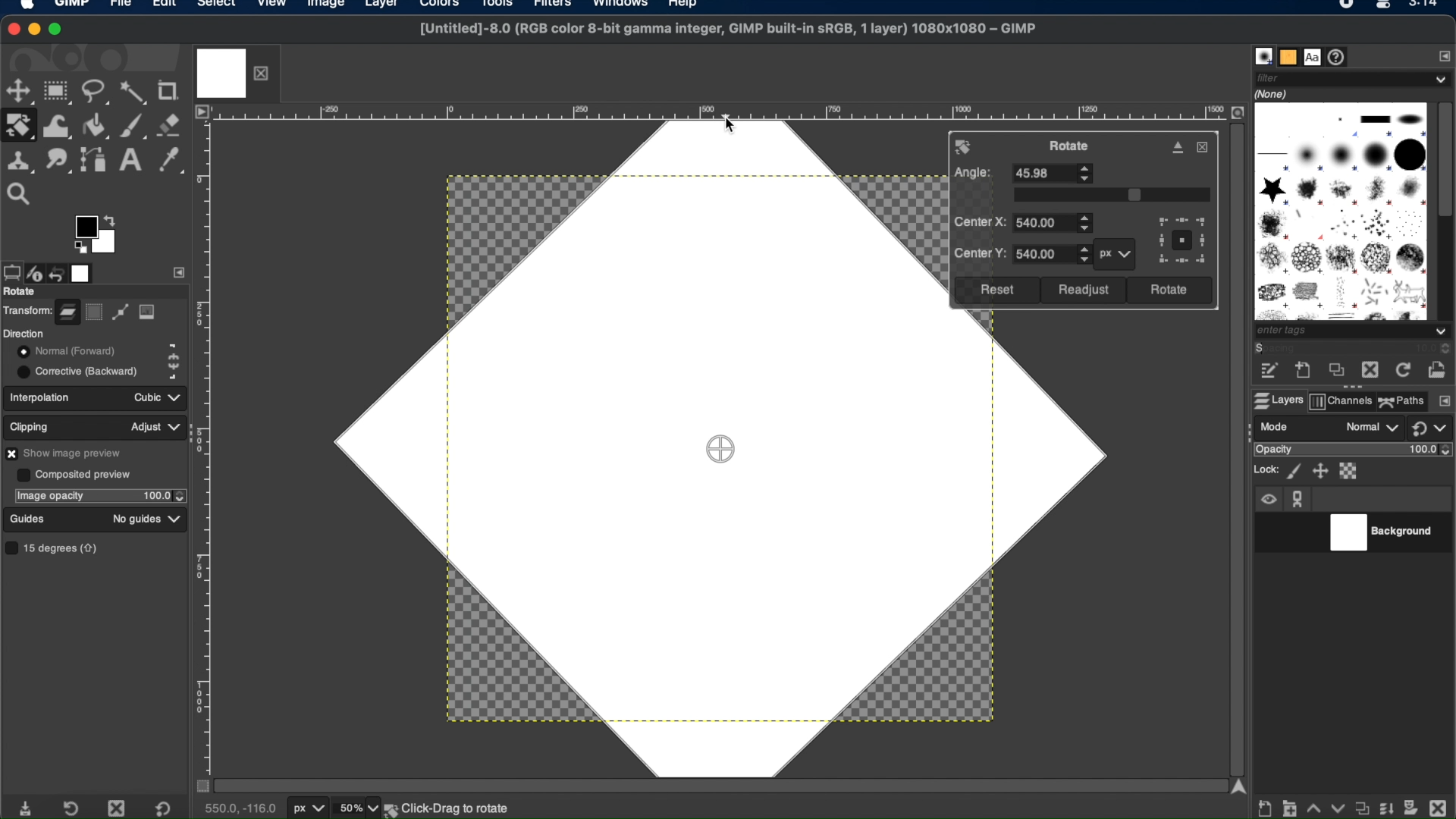  What do you see at coordinates (443, 8) in the screenshot?
I see `colors` at bounding box center [443, 8].